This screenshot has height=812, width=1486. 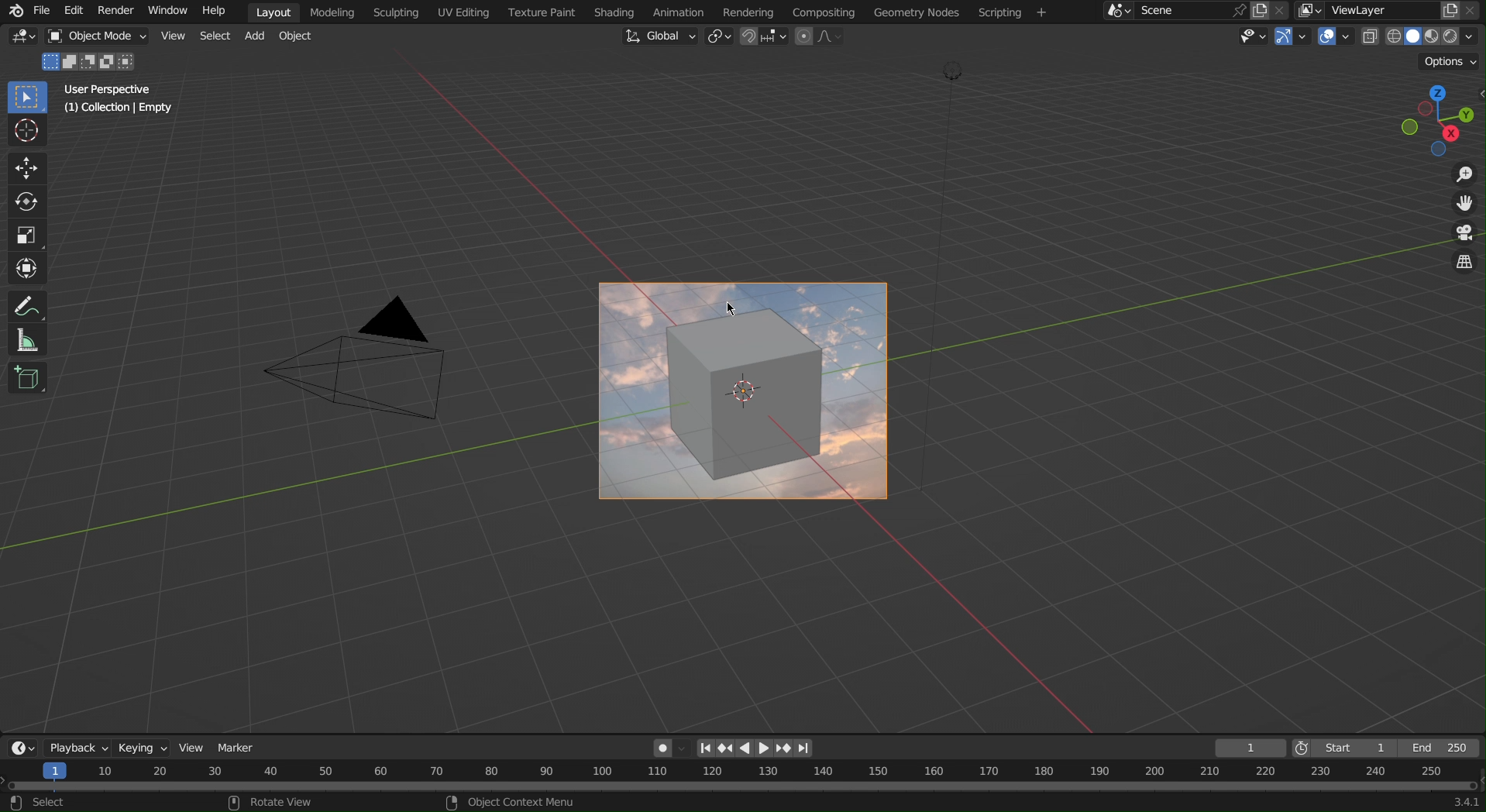 What do you see at coordinates (1448, 60) in the screenshot?
I see `Options` at bounding box center [1448, 60].